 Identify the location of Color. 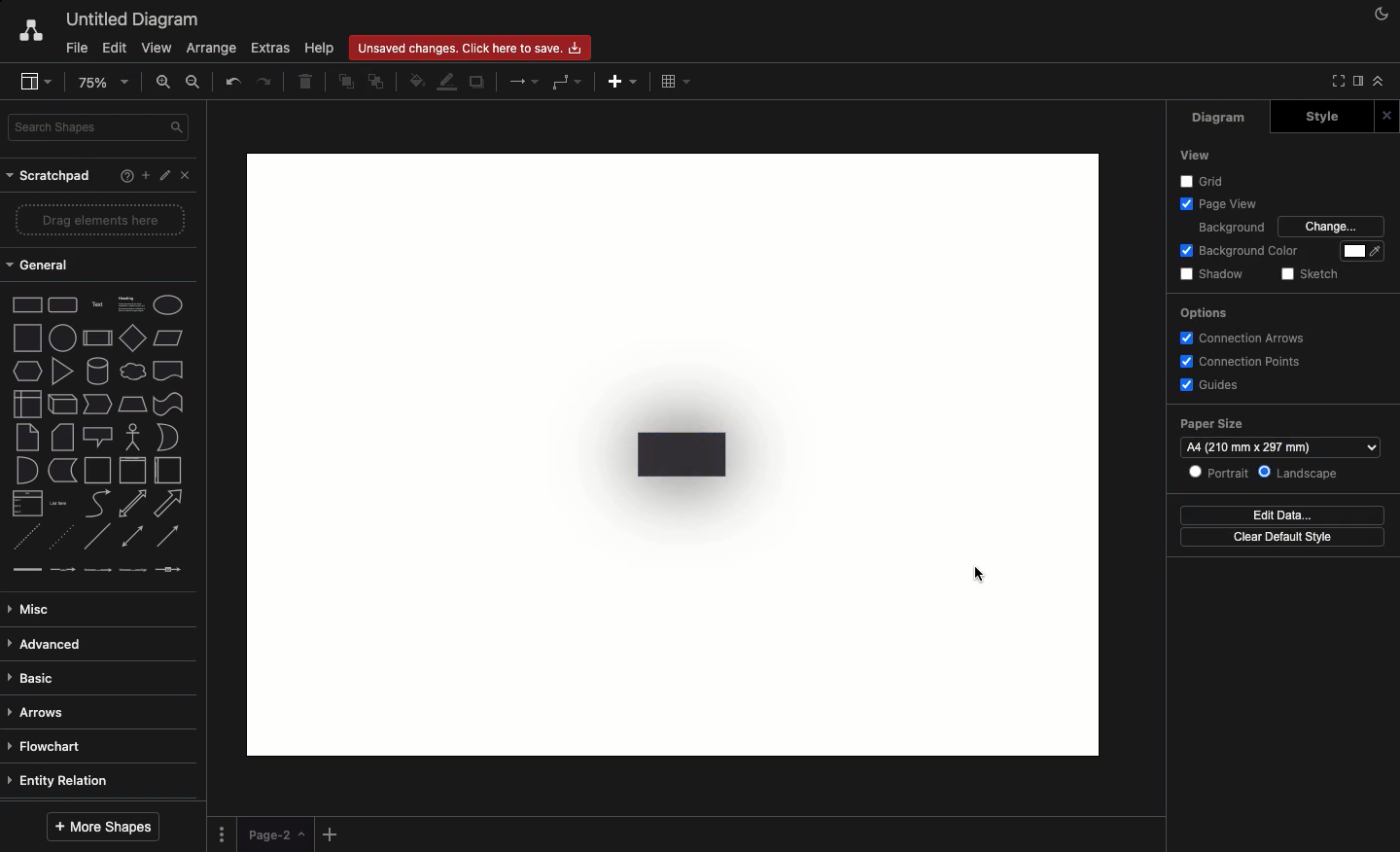
(1356, 252).